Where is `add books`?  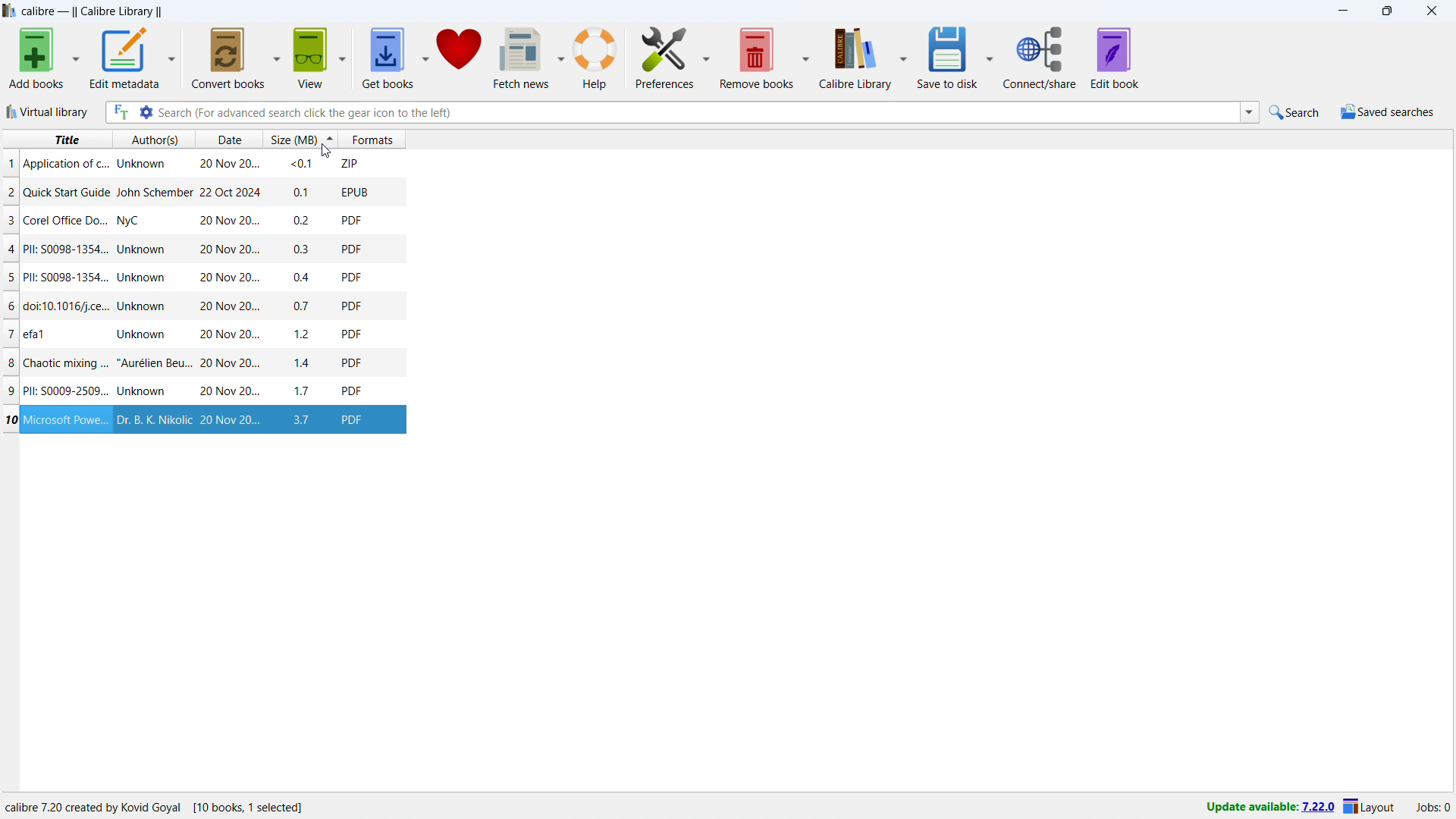
add books is located at coordinates (37, 58).